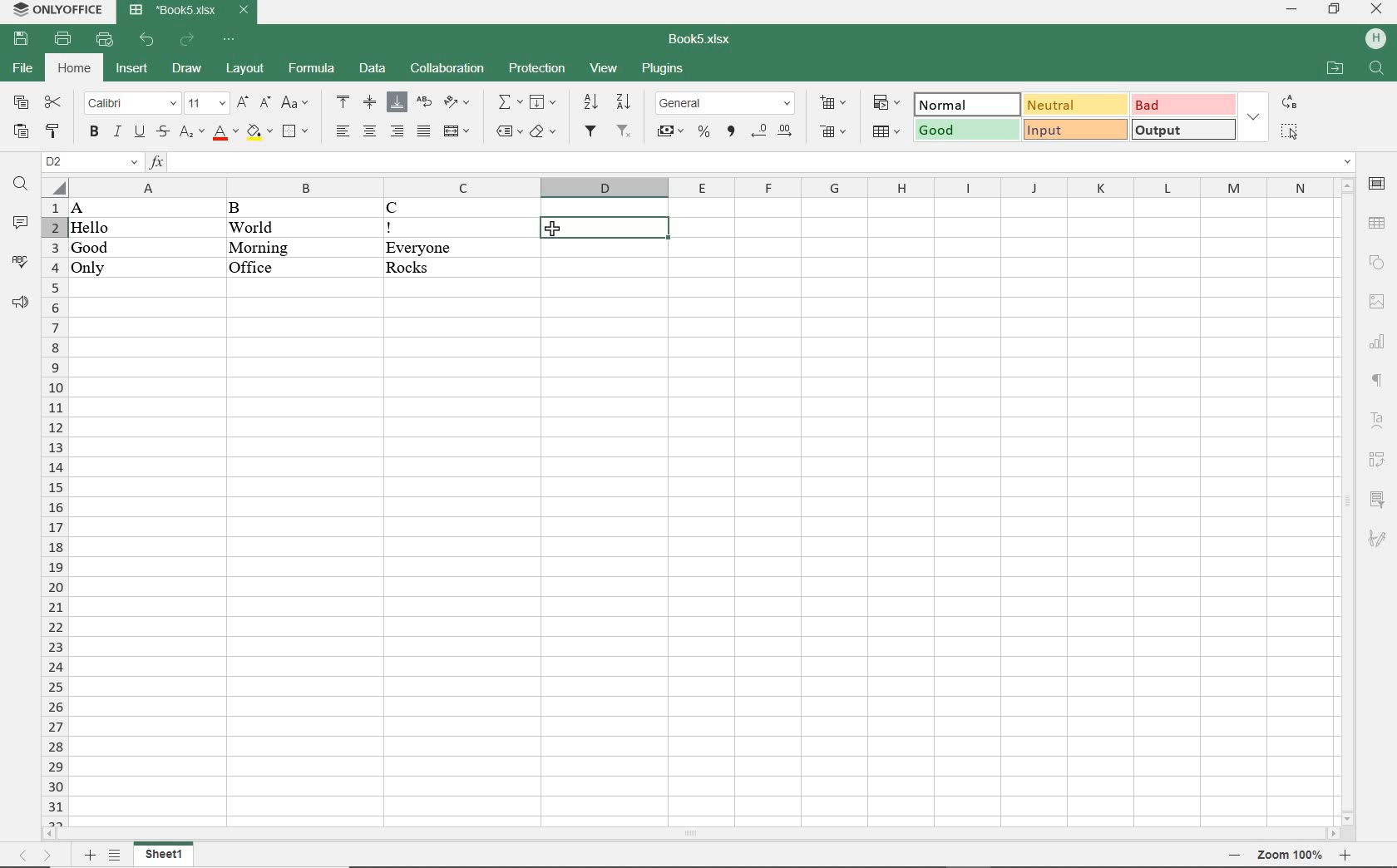 Image resolution: width=1397 pixels, height=868 pixels. Describe the element at coordinates (186, 42) in the screenshot. I see `redo` at that location.